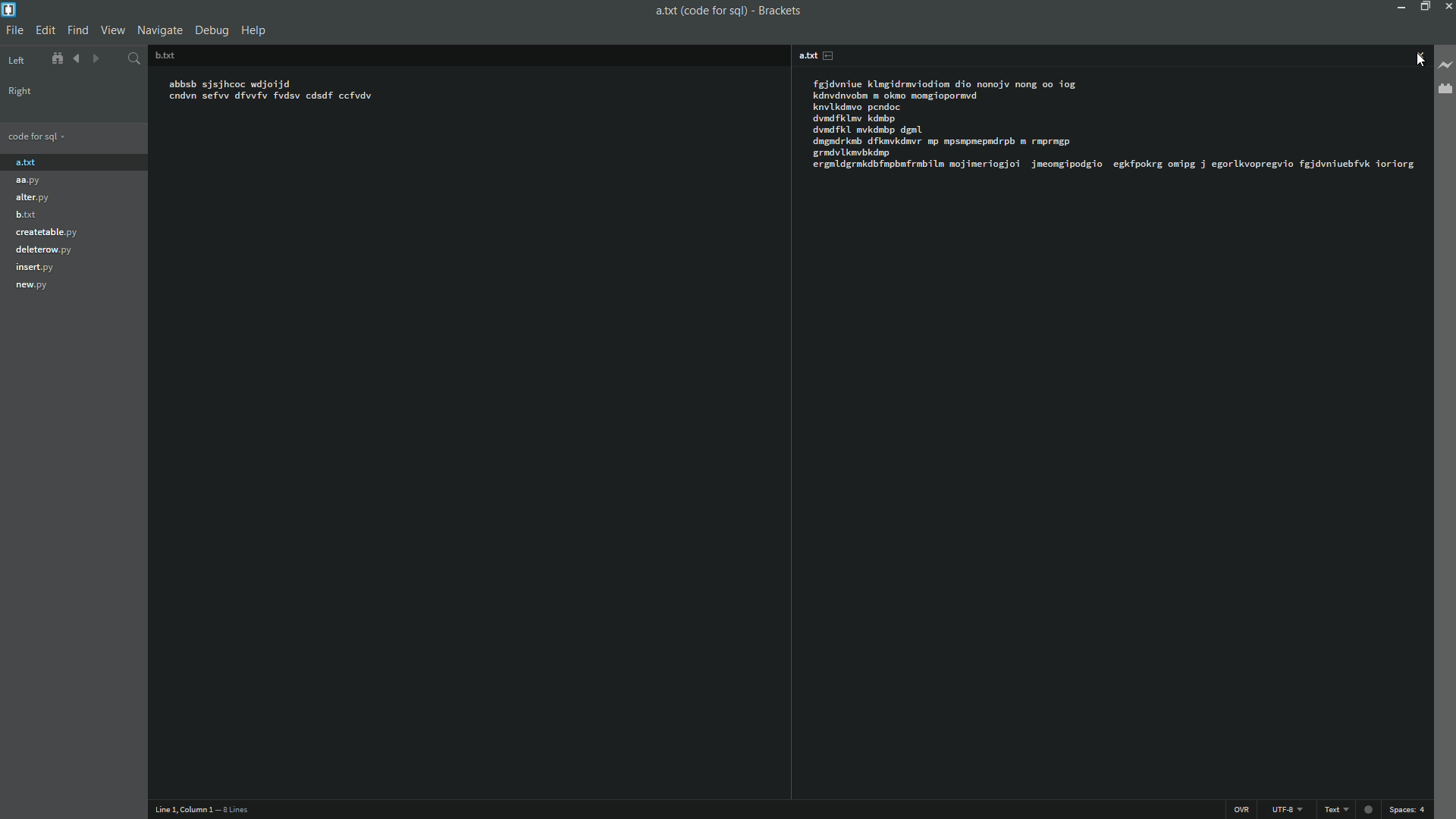  I want to click on minimize, so click(1400, 6).